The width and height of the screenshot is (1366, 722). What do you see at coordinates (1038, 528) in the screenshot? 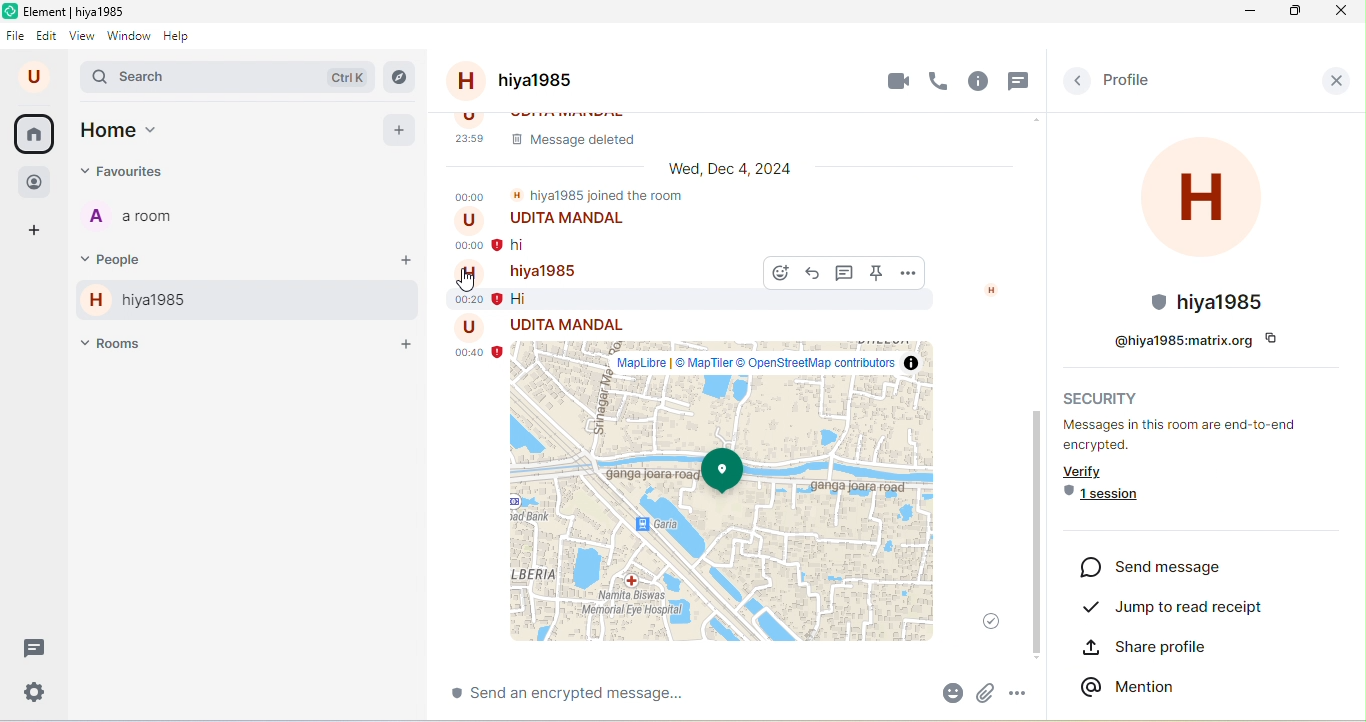
I see `Scrollbar` at bounding box center [1038, 528].